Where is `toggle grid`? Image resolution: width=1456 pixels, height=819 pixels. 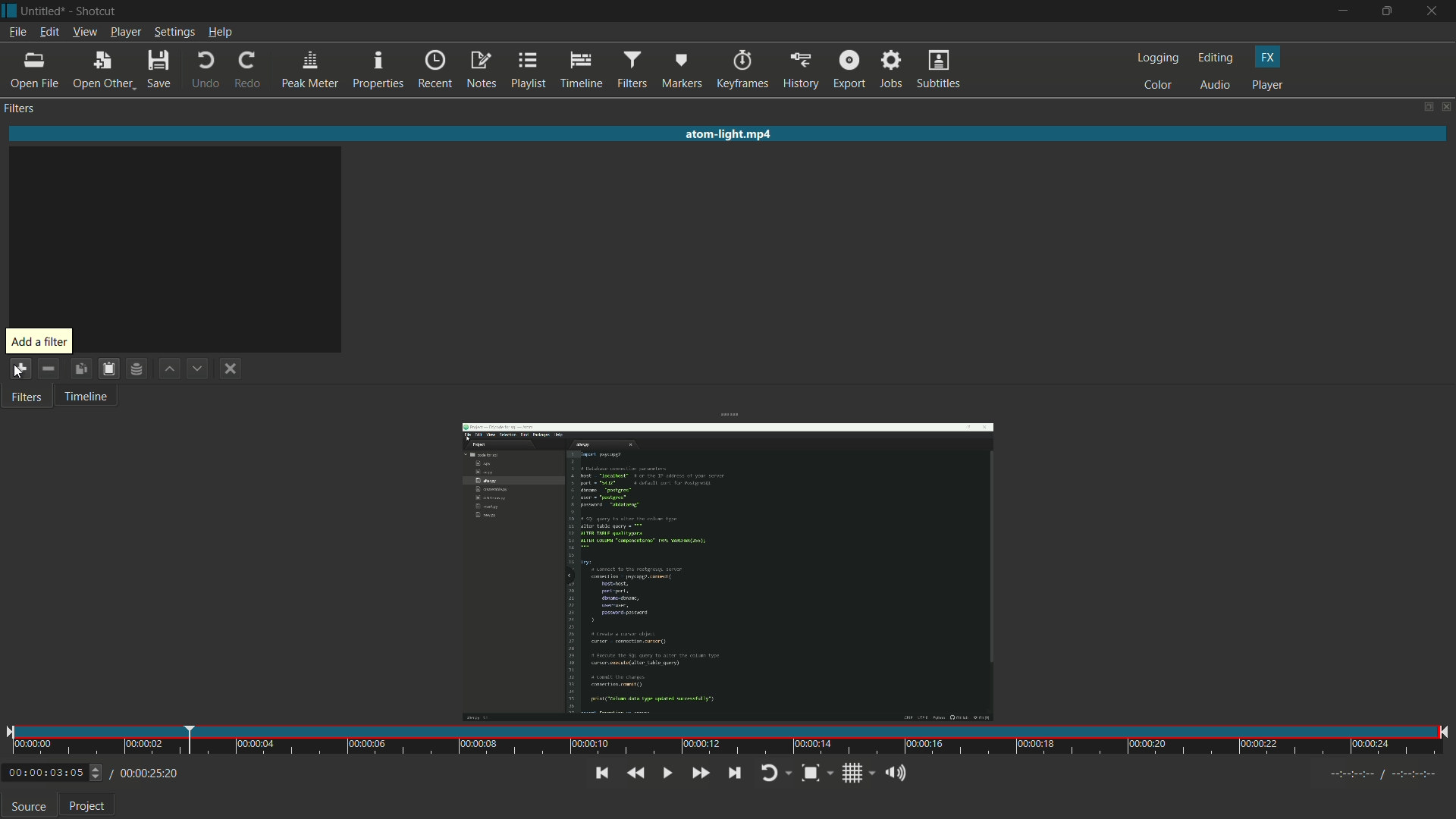
toggle grid is located at coordinates (853, 773).